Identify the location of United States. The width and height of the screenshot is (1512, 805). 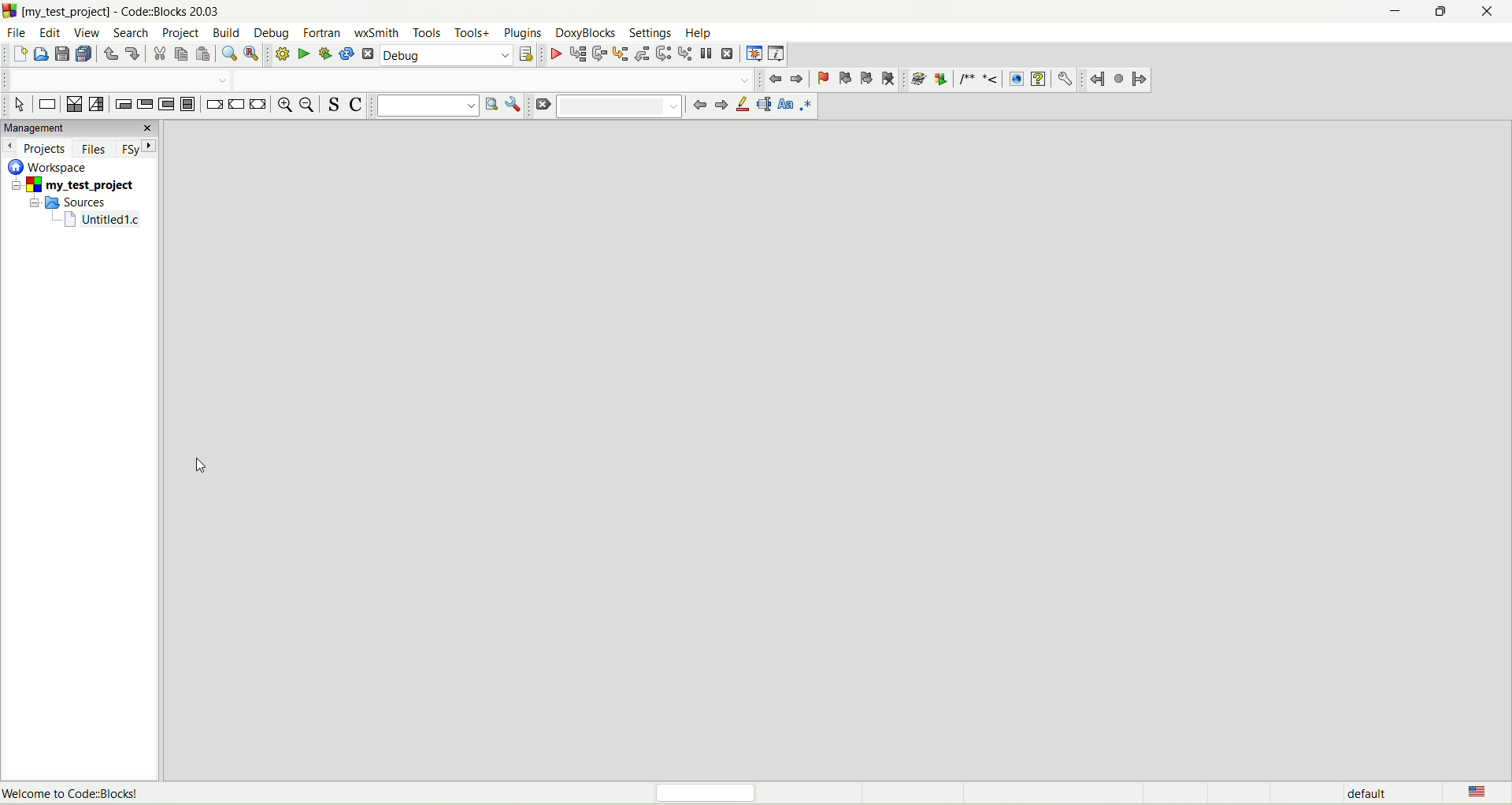
(1479, 791).